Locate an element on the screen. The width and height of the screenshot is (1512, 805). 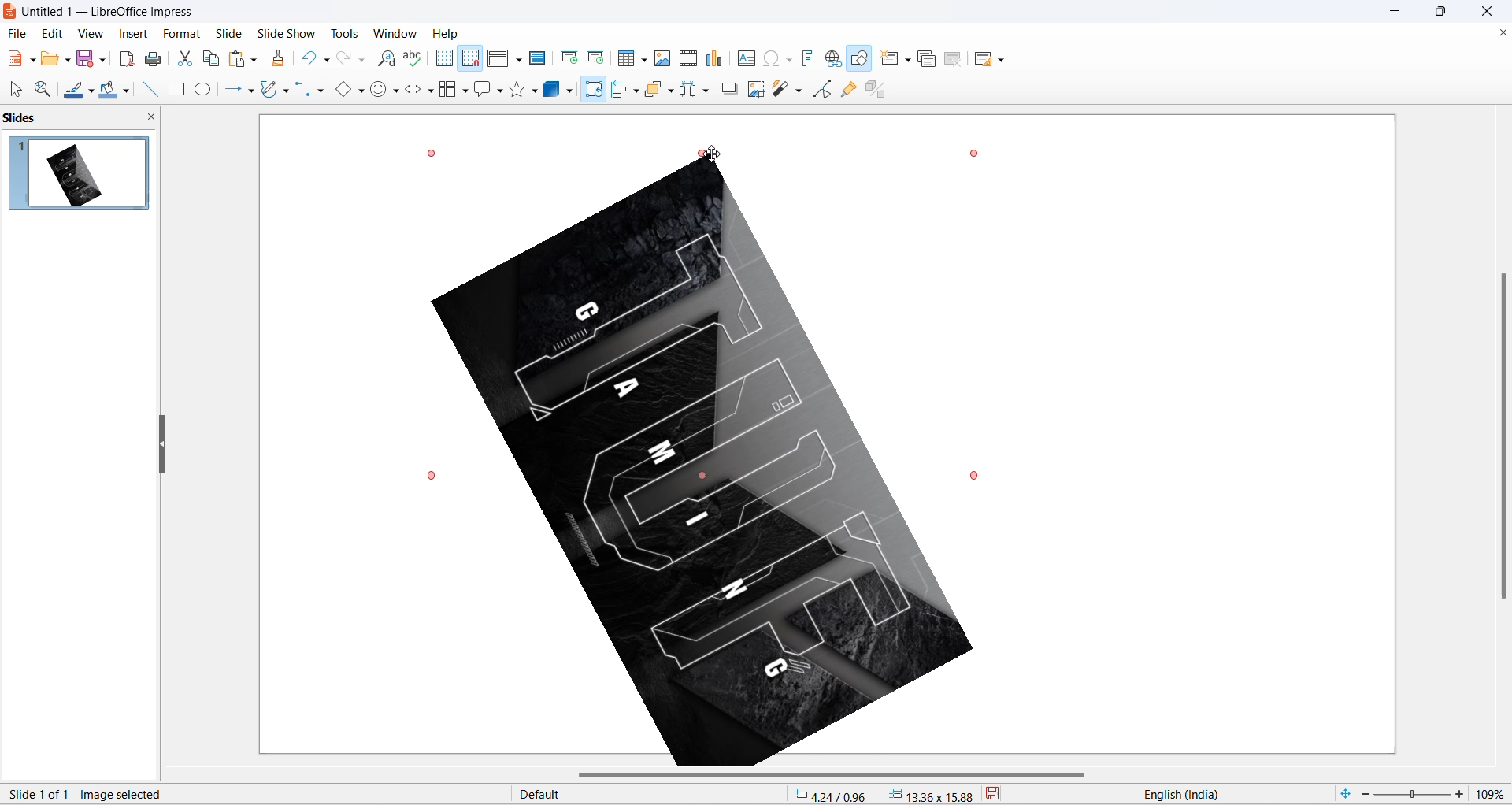
image selected text is located at coordinates (124, 793).